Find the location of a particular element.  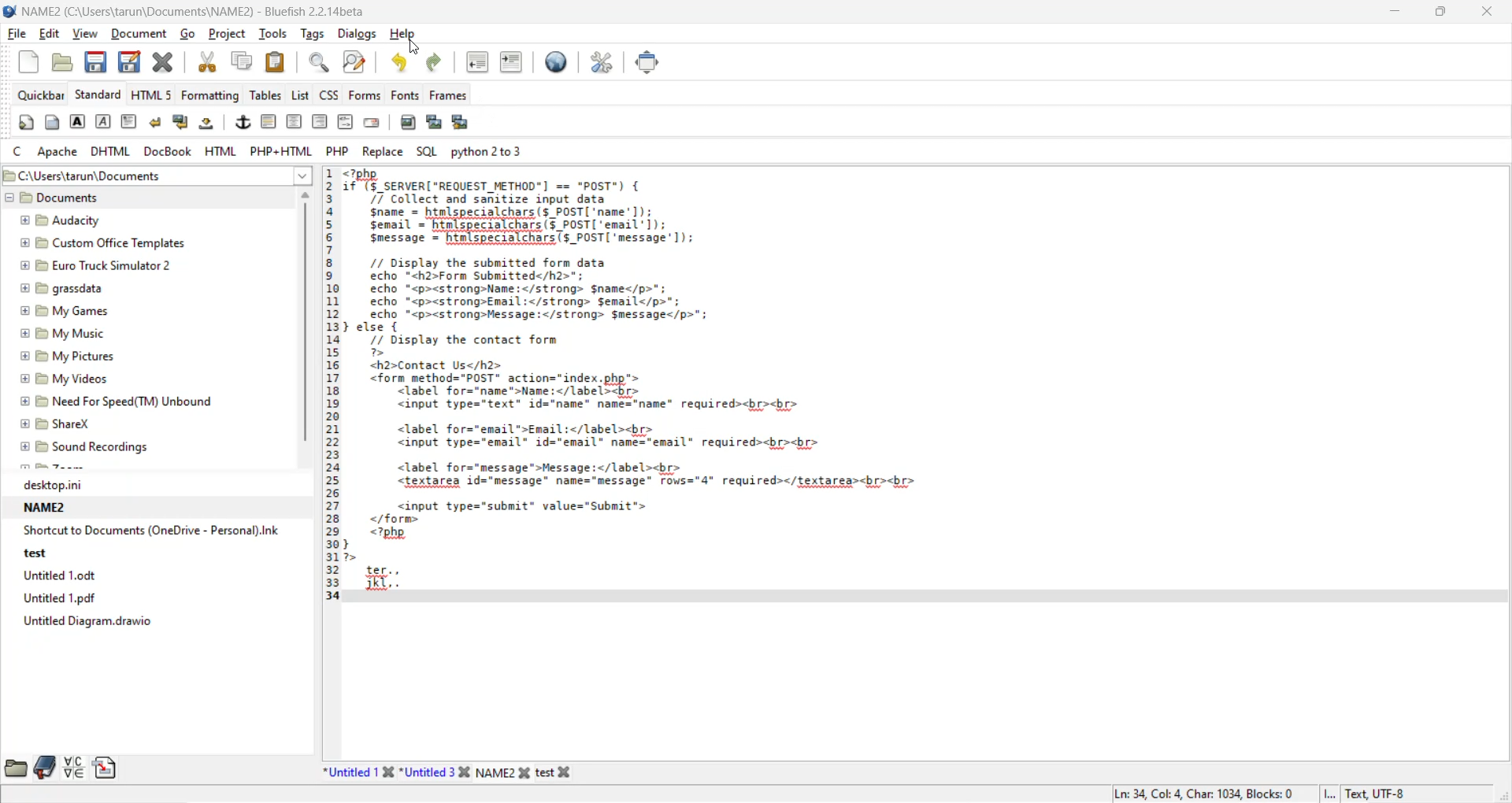

test is located at coordinates (41, 557).